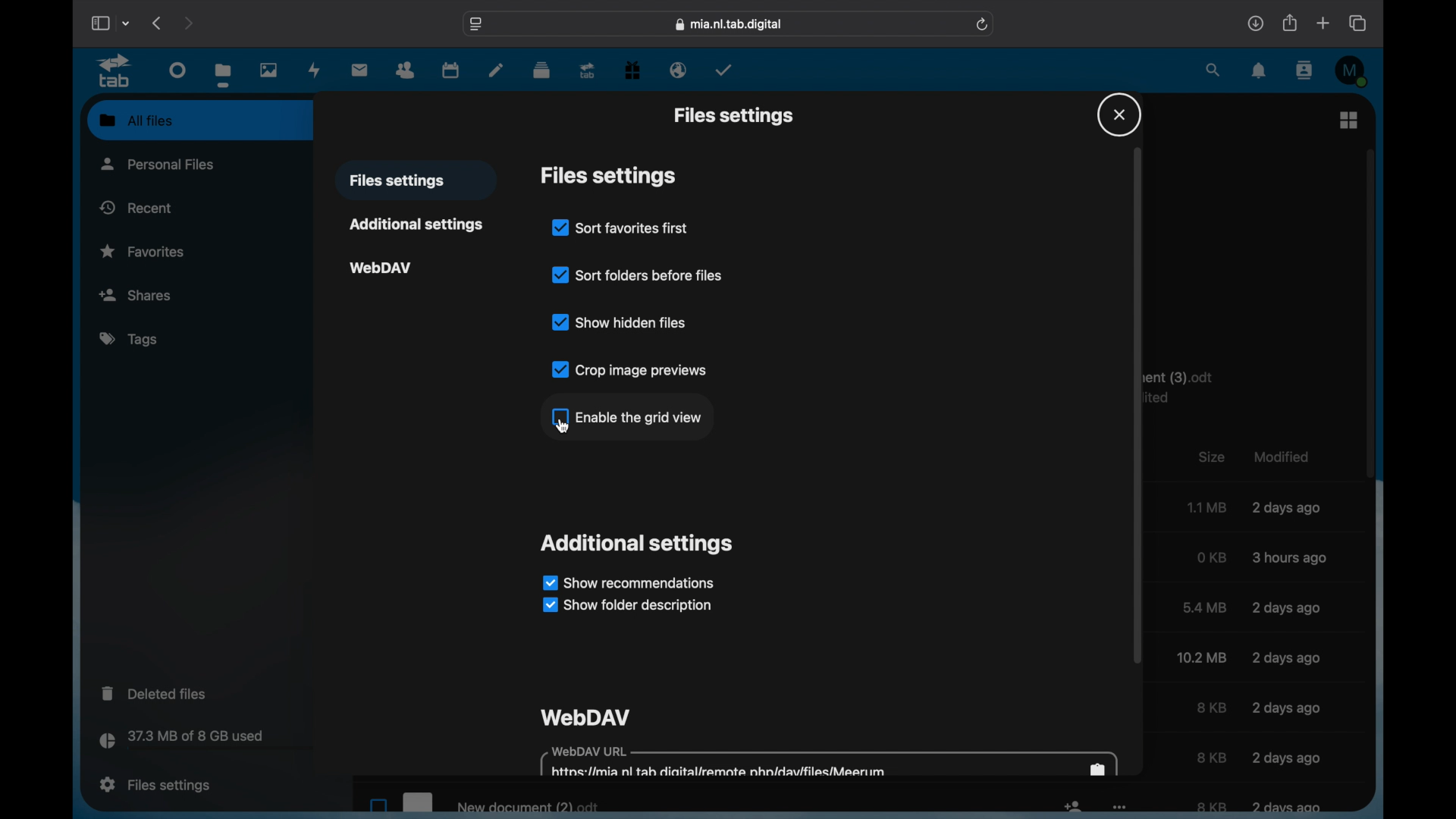 The height and width of the screenshot is (819, 1456). Describe the element at coordinates (636, 273) in the screenshot. I see `show folders before files` at that location.